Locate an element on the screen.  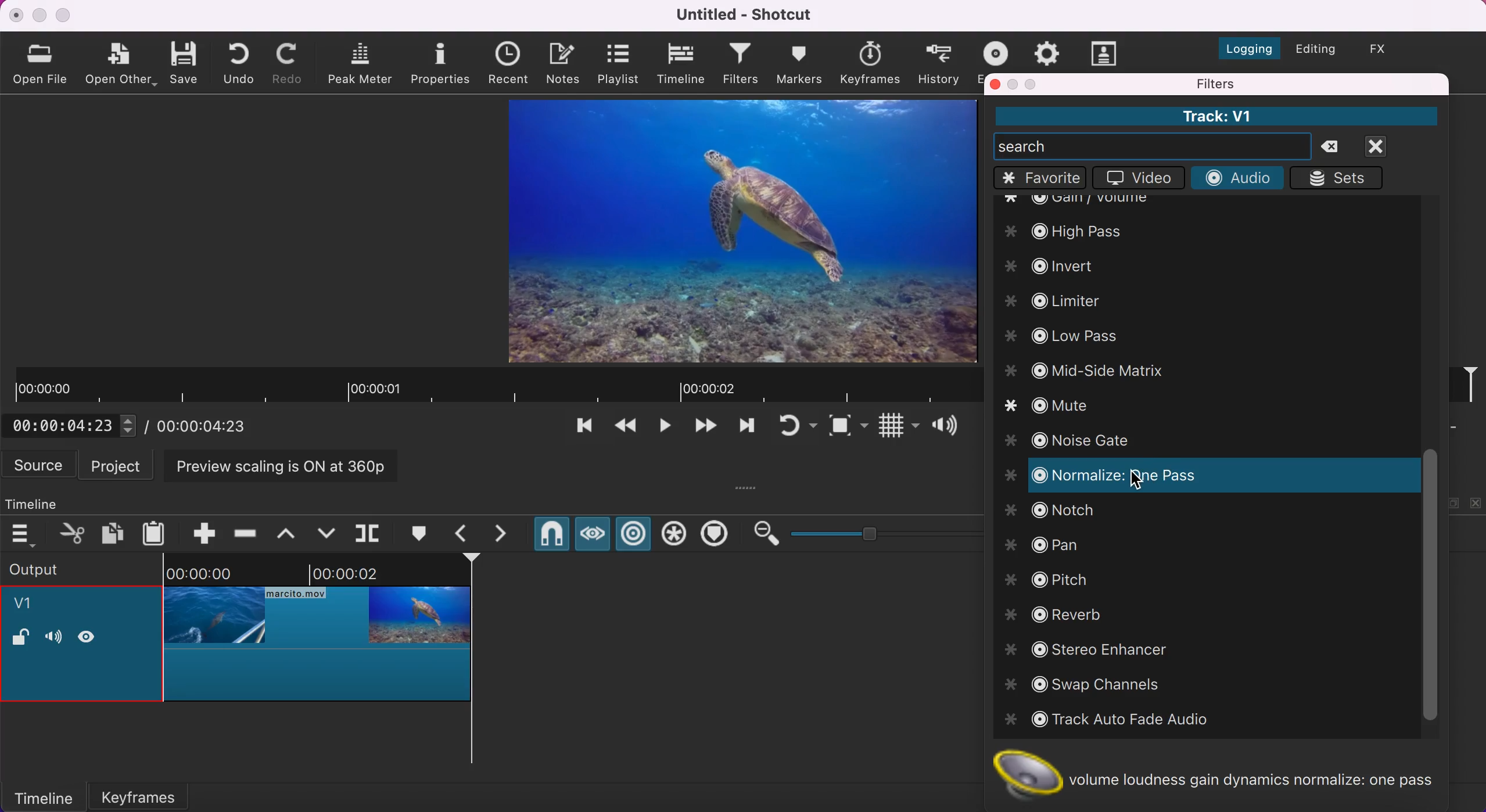
redo is located at coordinates (290, 63).